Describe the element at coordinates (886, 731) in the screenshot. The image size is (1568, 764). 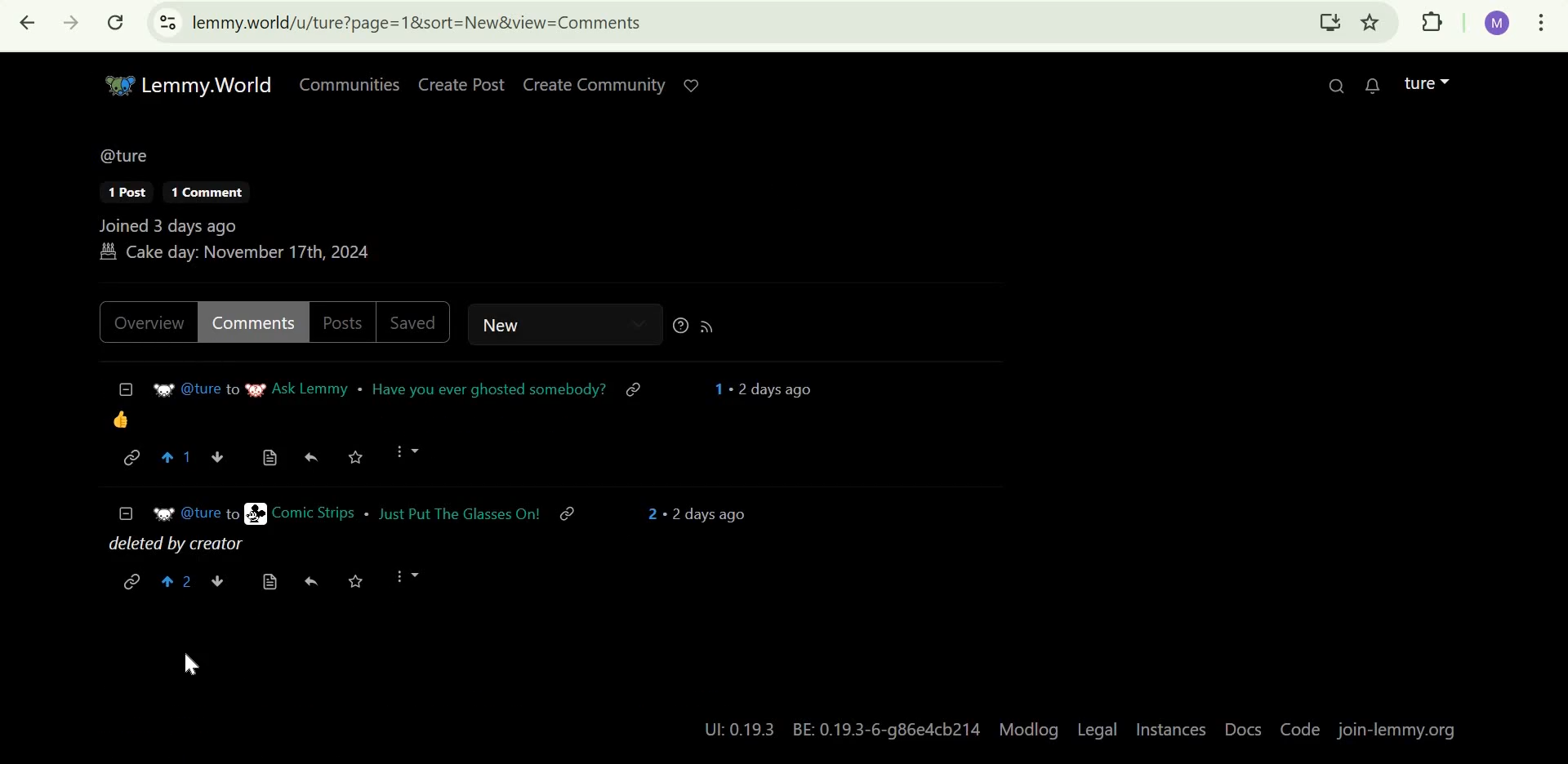
I see `BE: 0.19.3-6-g86e4cb214` at that location.